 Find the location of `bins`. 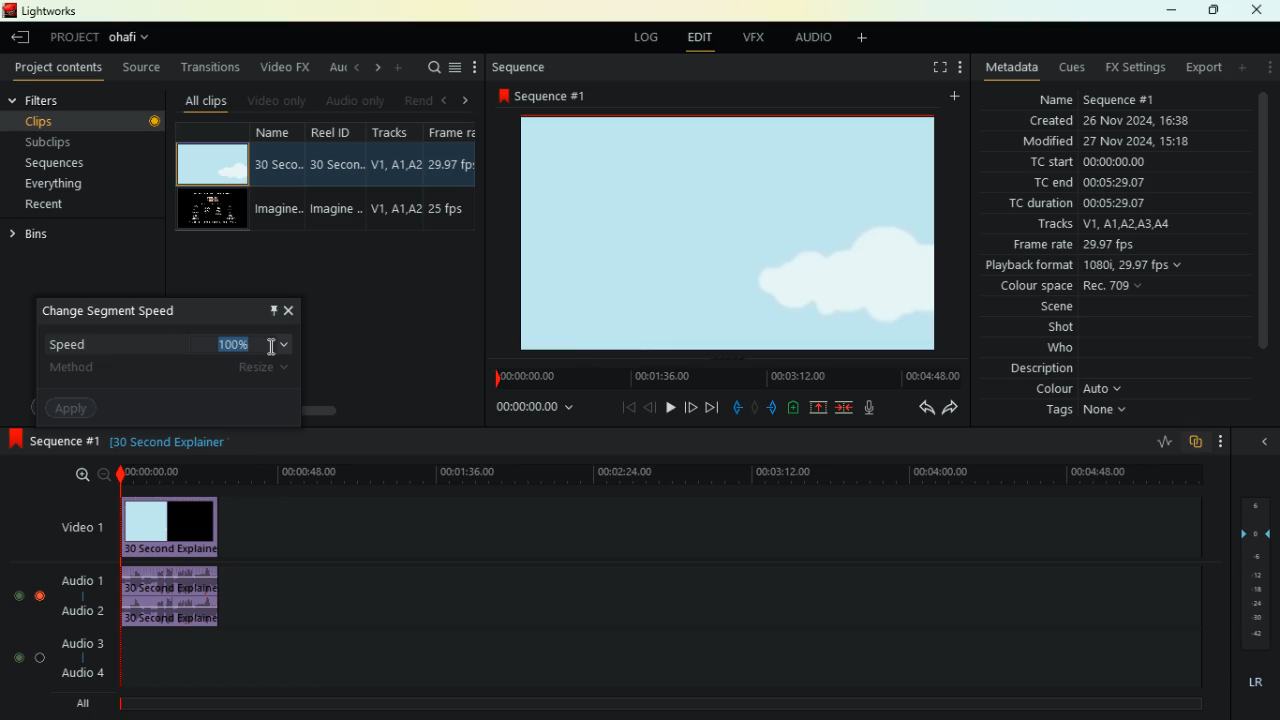

bins is located at coordinates (46, 234).